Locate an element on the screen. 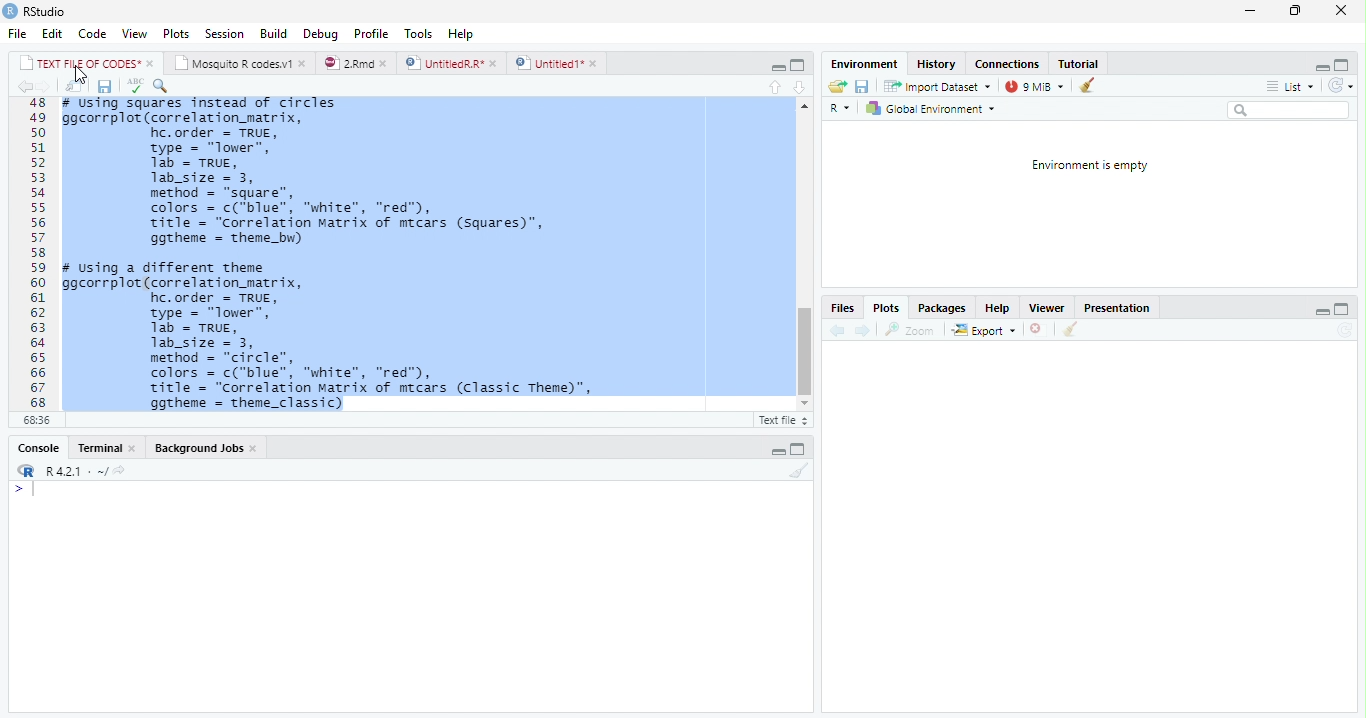  4849505152535455565758596061626364656667ER is located at coordinates (35, 253).